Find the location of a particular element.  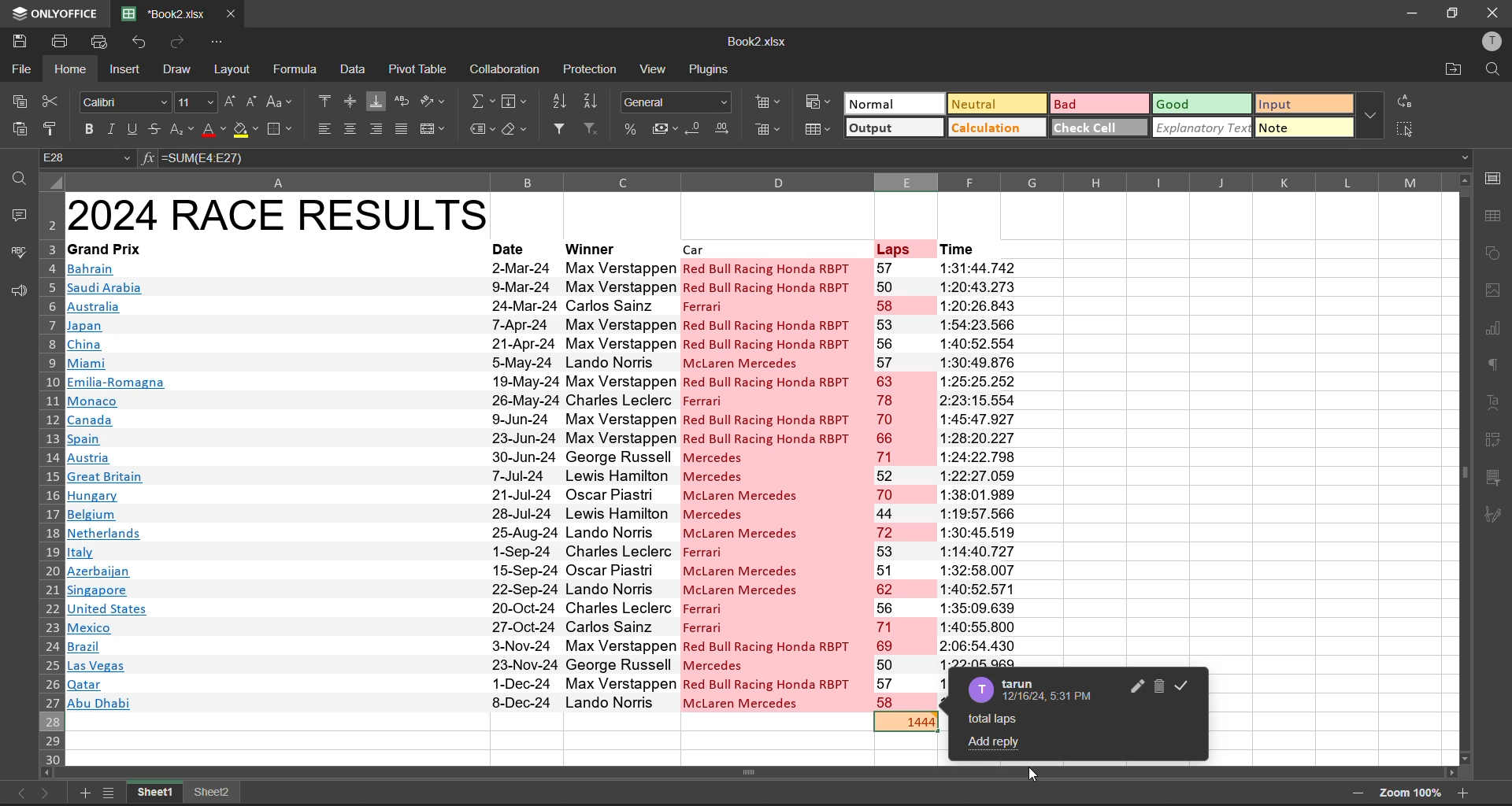

sort descending is located at coordinates (595, 100).